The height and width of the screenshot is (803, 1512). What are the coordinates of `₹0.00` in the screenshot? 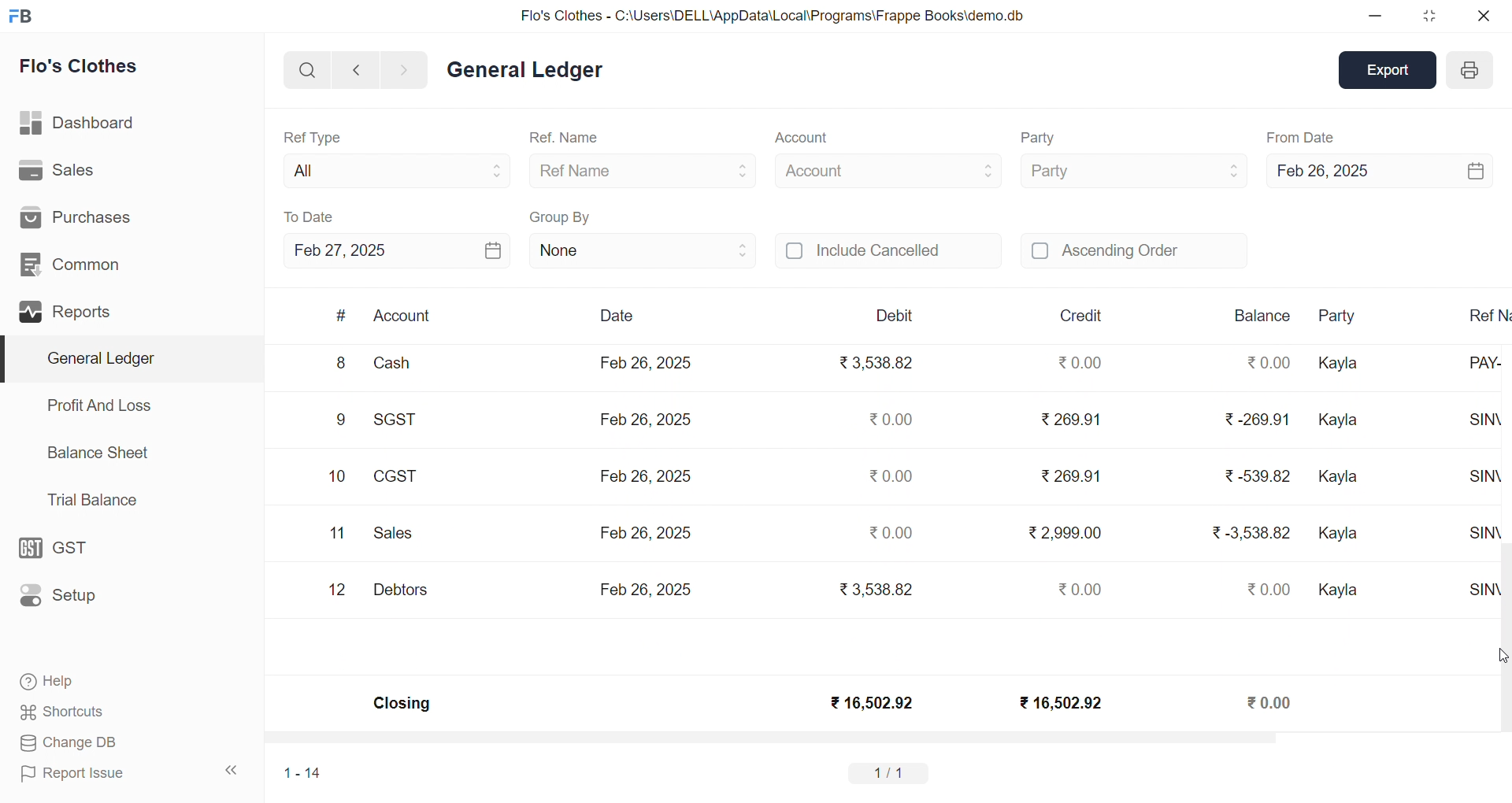 It's located at (891, 476).